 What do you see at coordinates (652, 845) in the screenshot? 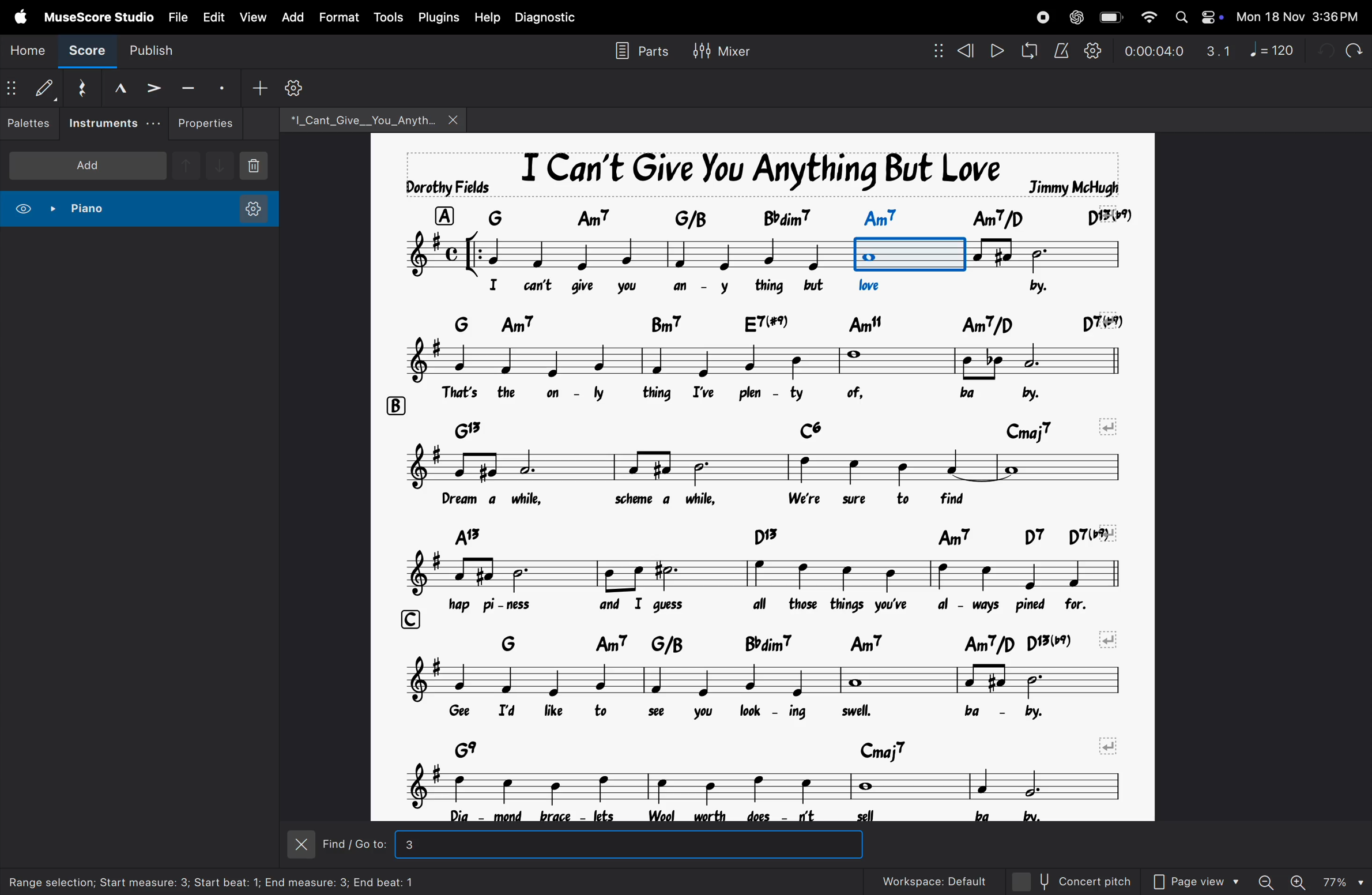
I see `inputbox` at bounding box center [652, 845].